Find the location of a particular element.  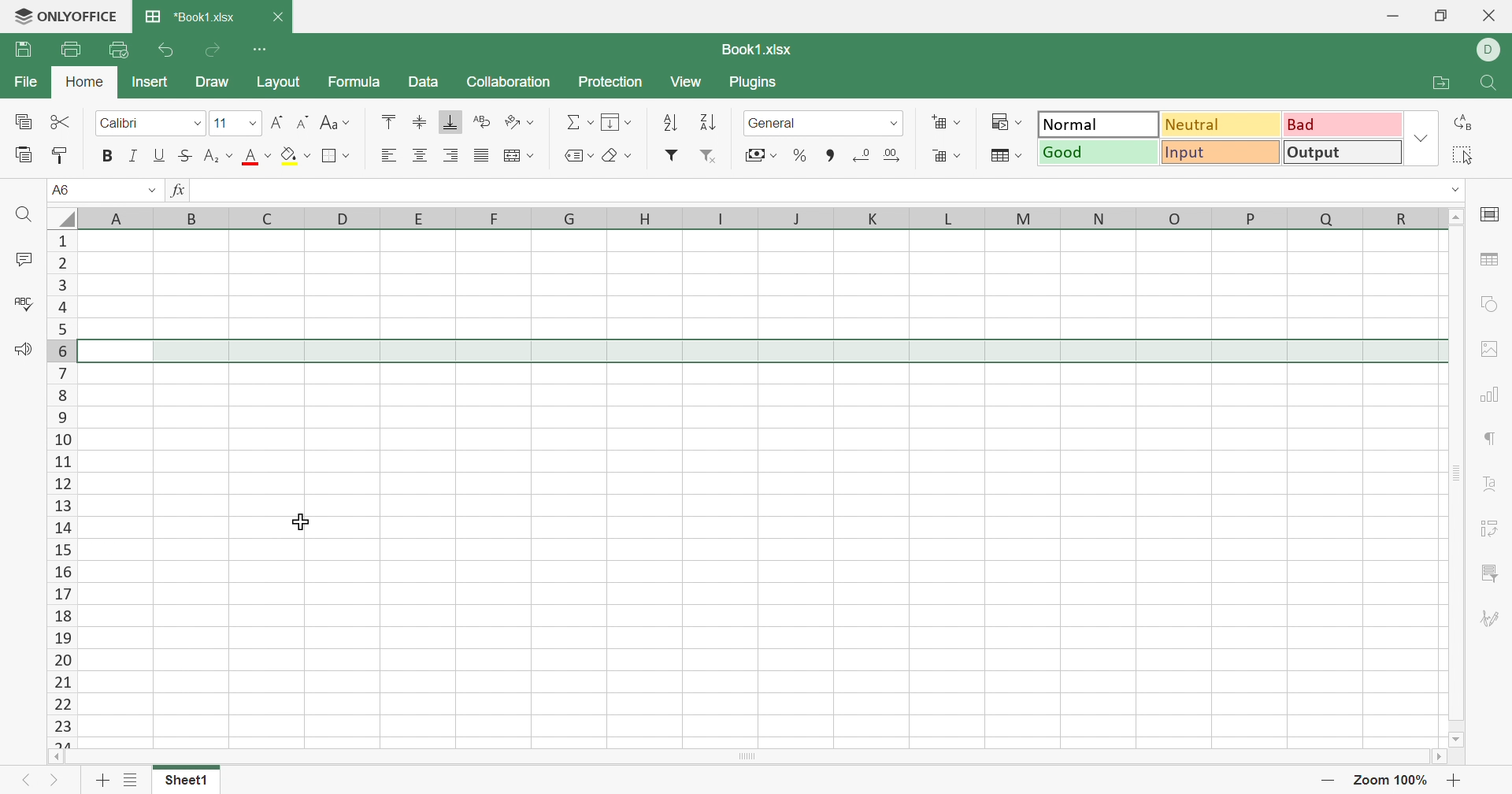

Next is located at coordinates (54, 783).